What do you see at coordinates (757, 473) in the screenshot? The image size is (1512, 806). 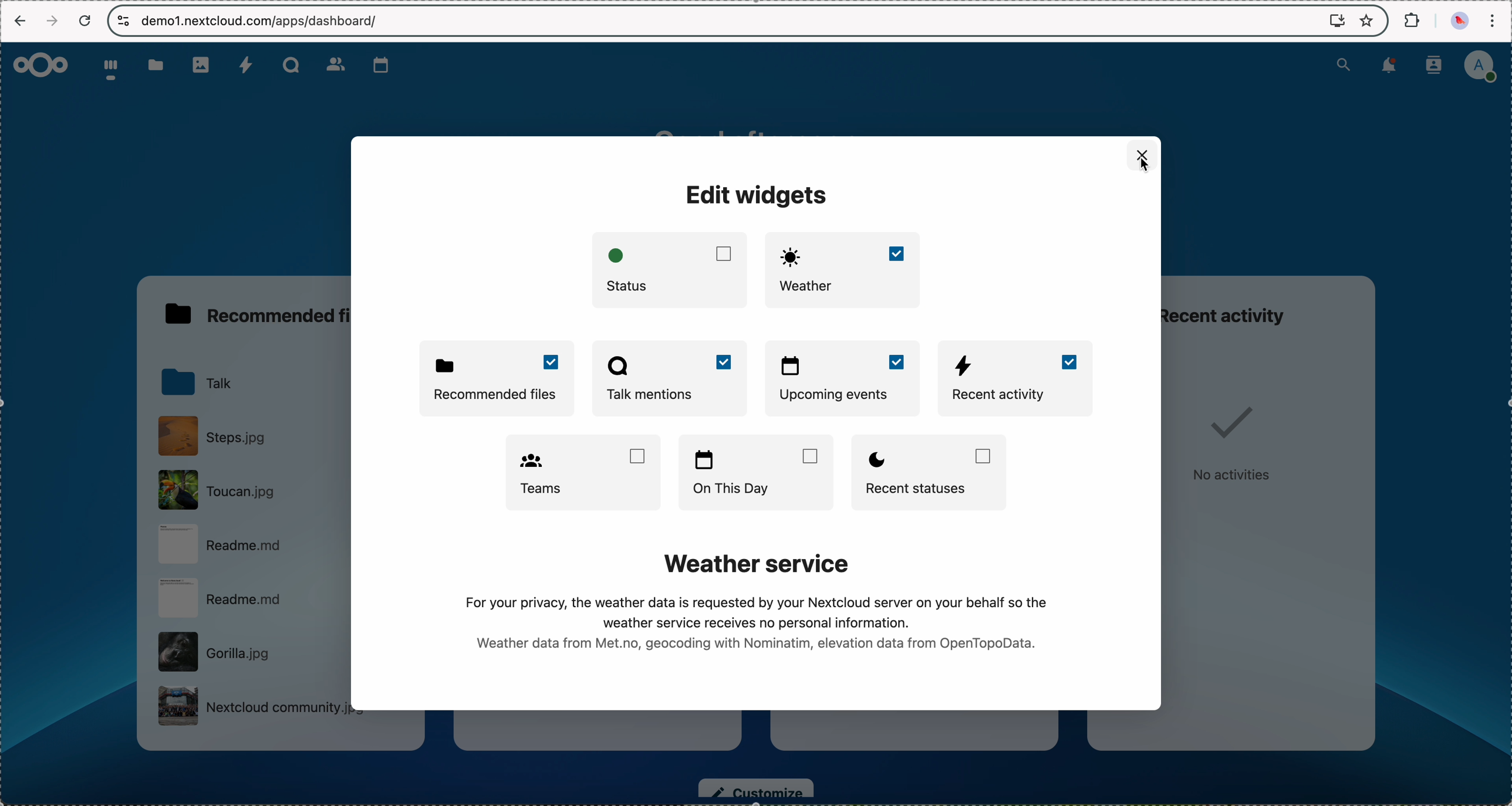 I see `on this day` at bounding box center [757, 473].